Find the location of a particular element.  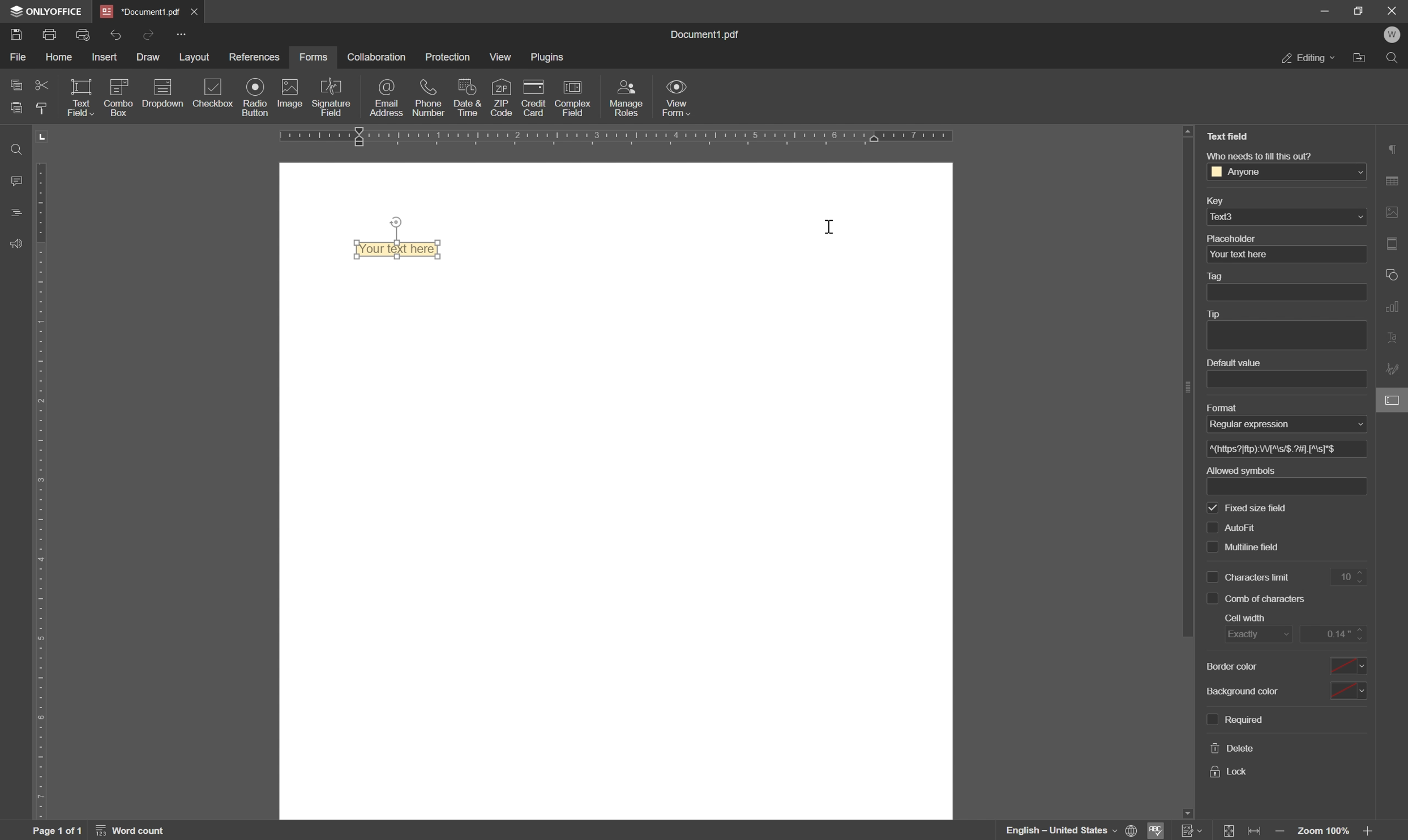

checkbox is located at coordinates (1211, 718).